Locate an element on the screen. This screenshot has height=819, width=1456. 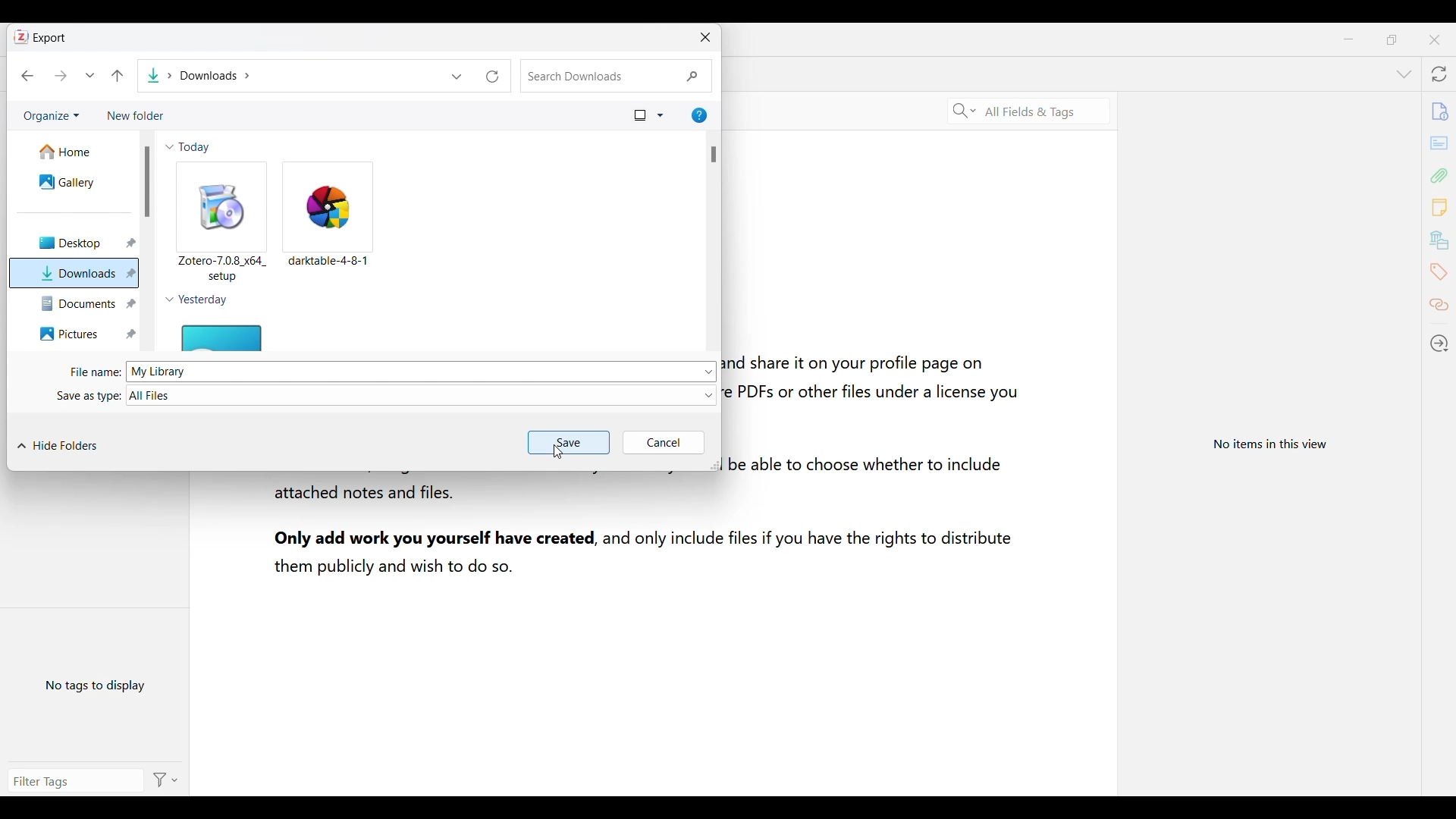
Close is located at coordinates (705, 39).